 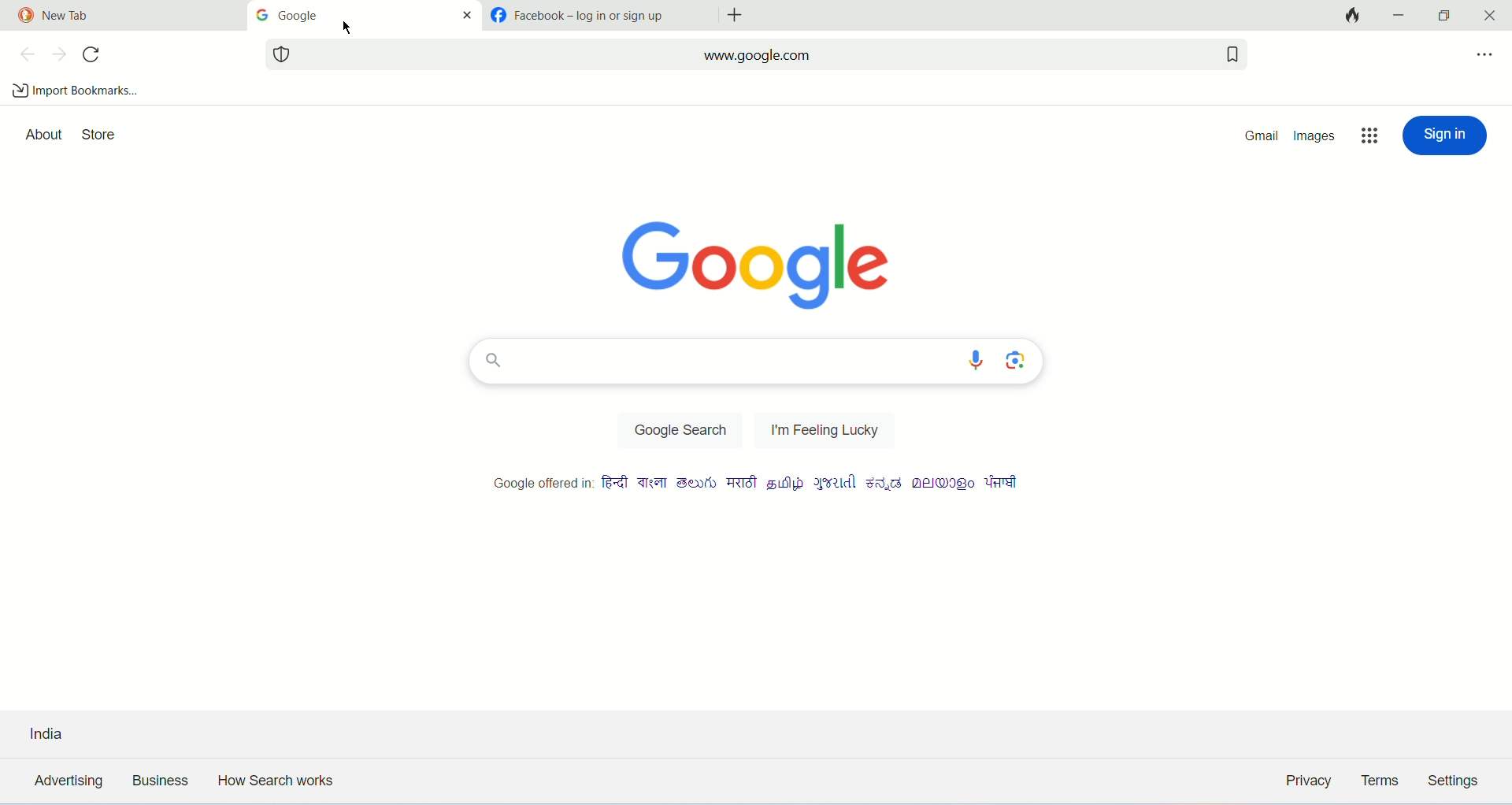 What do you see at coordinates (1266, 137) in the screenshot?
I see `gmail` at bounding box center [1266, 137].